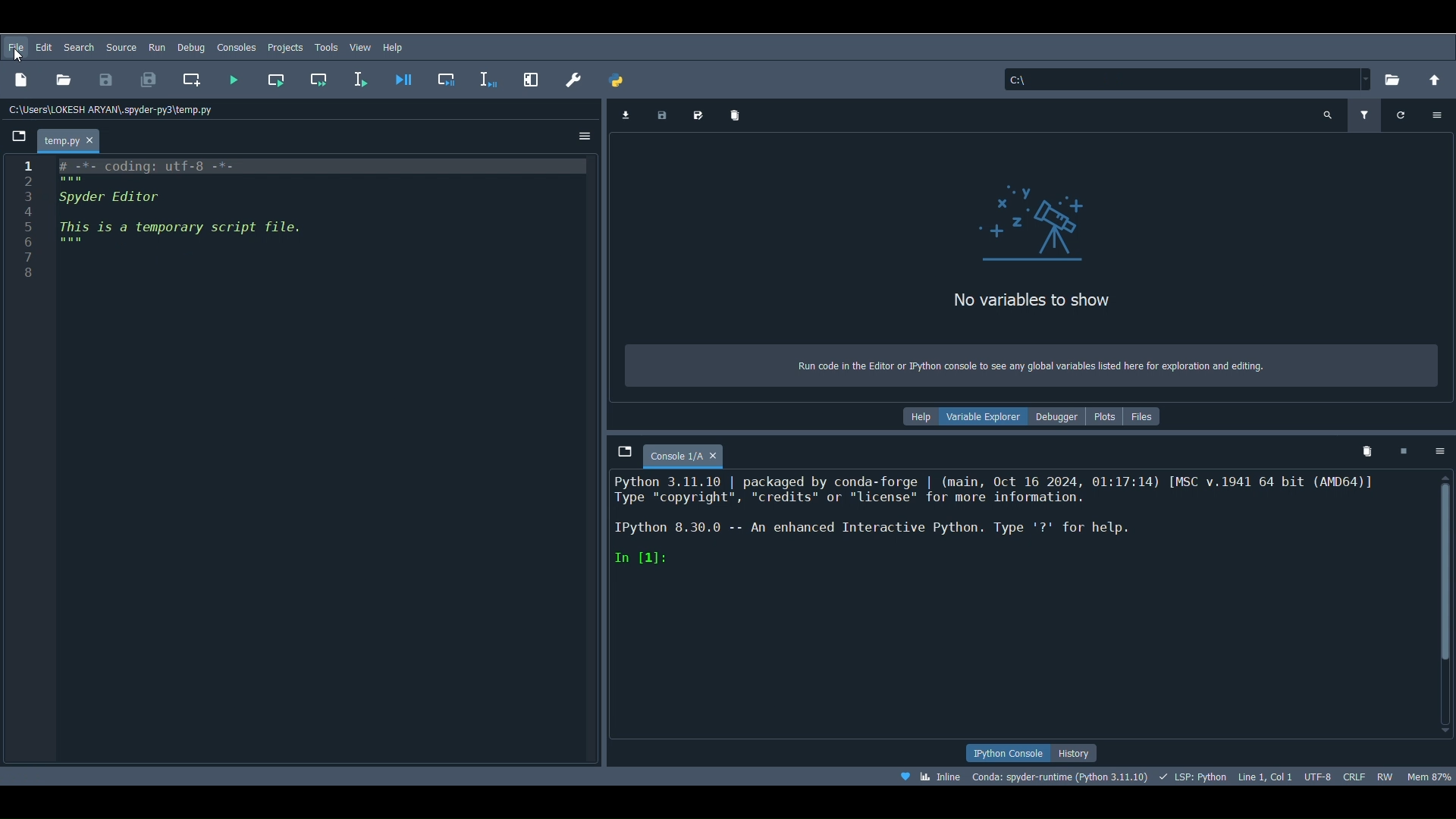  Describe the element at coordinates (1356, 774) in the screenshot. I see `File EOL Status` at that location.